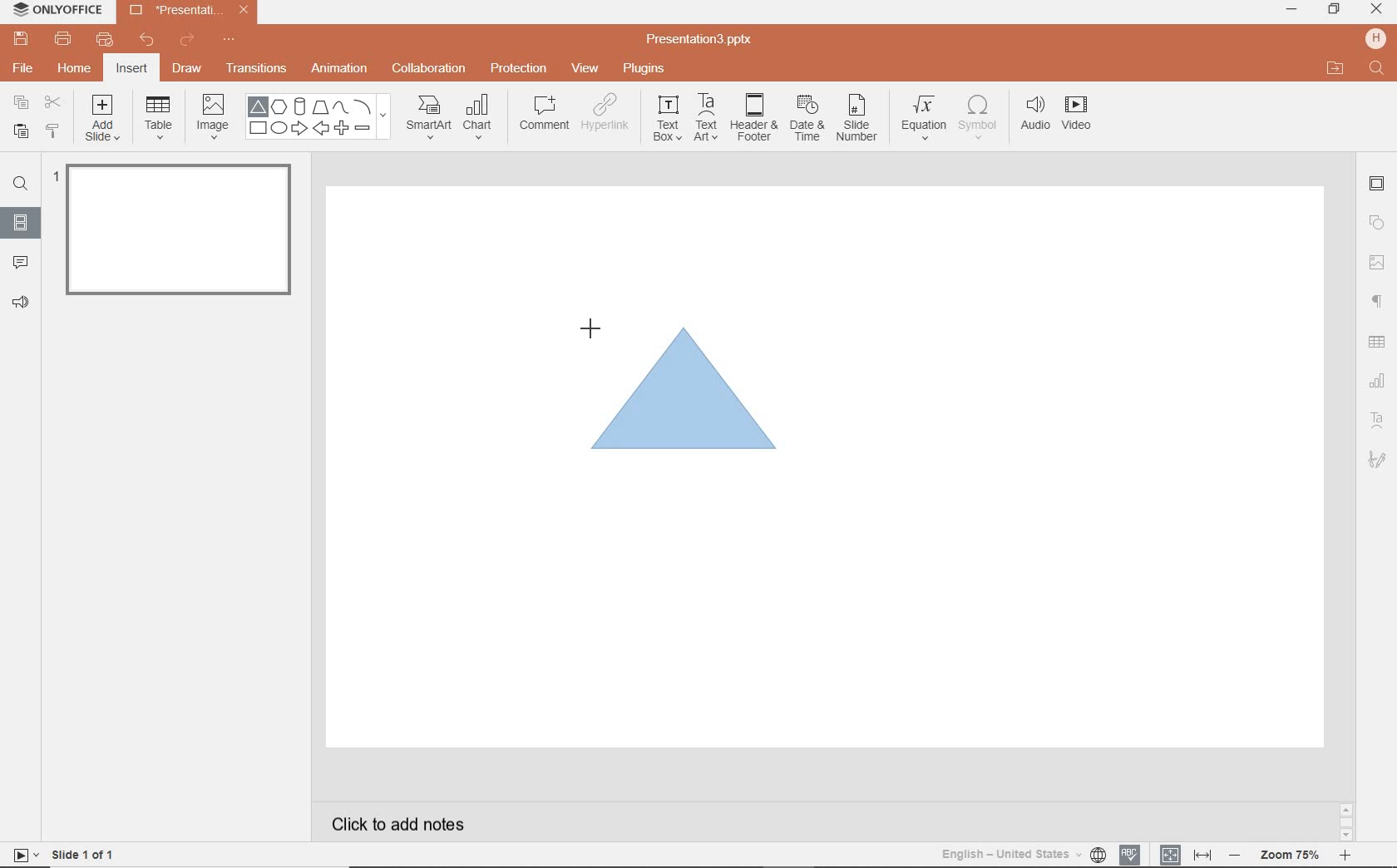  What do you see at coordinates (131, 70) in the screenshot?
I see `INSERT` at bounding box center [131, 70].